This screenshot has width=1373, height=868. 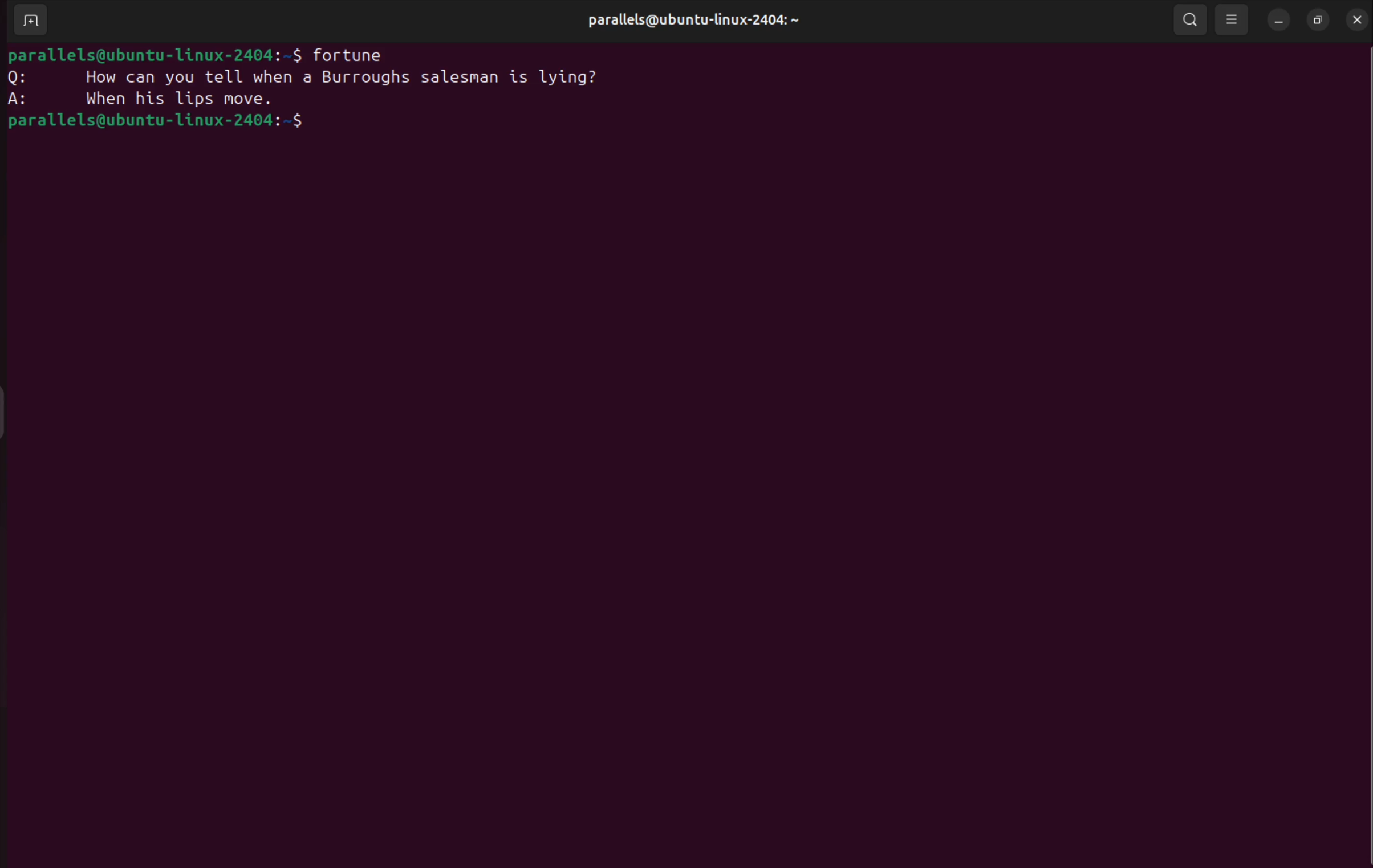 I want to click on parallels@ubuntu, so click(x=689, y=18).